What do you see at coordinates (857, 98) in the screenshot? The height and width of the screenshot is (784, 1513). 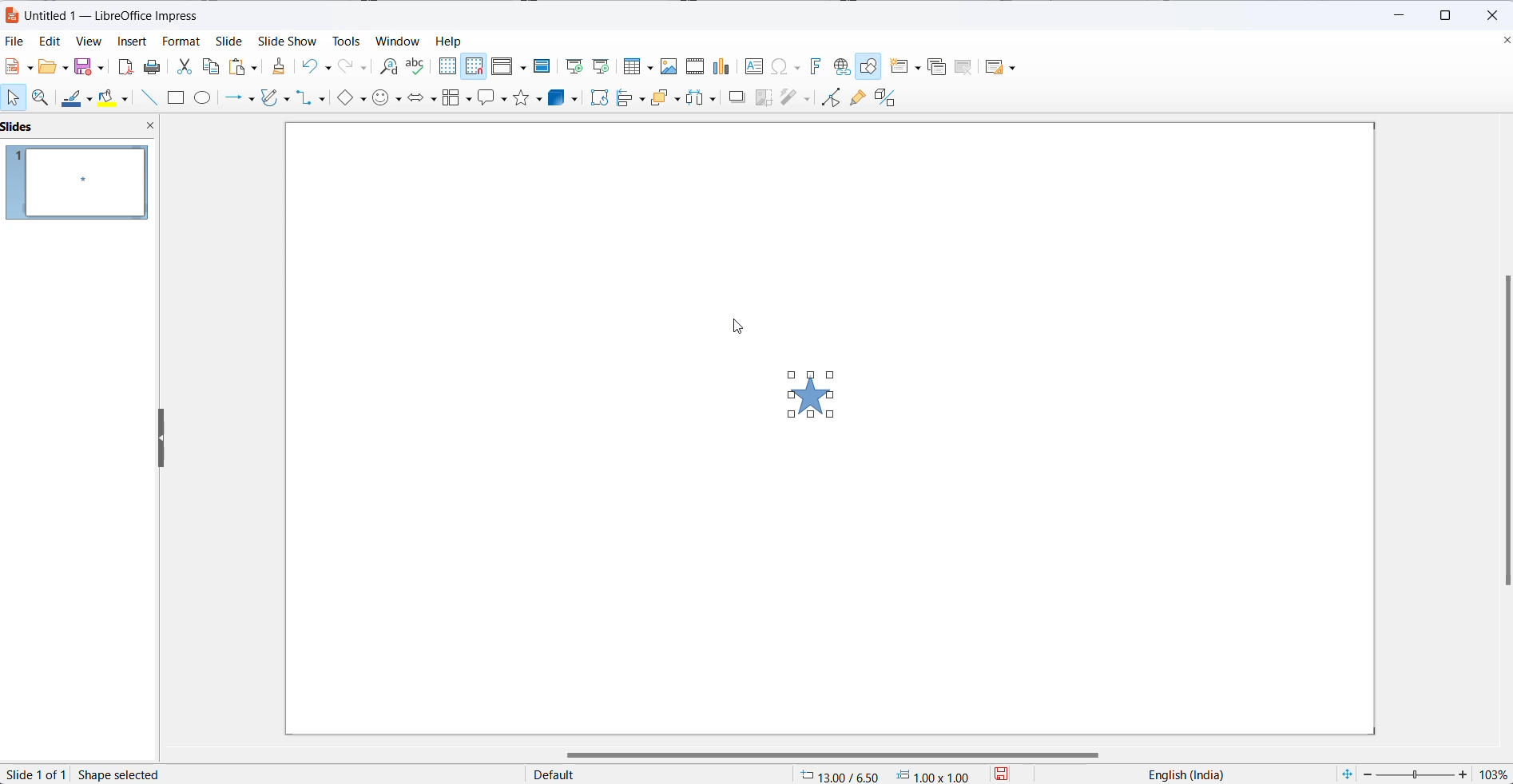 I see `show gluepoint function` at bounding box center [857, 98].